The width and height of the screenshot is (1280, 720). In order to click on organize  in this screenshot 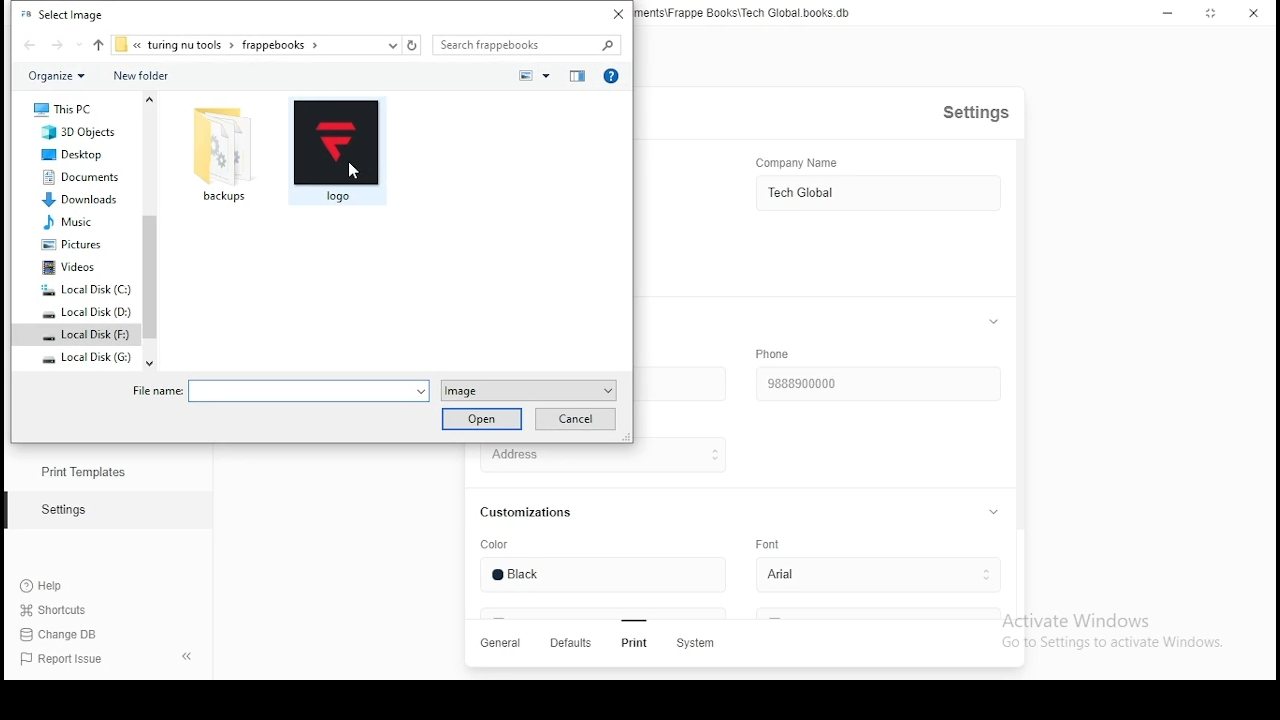, I will do `click(56, 75)`.